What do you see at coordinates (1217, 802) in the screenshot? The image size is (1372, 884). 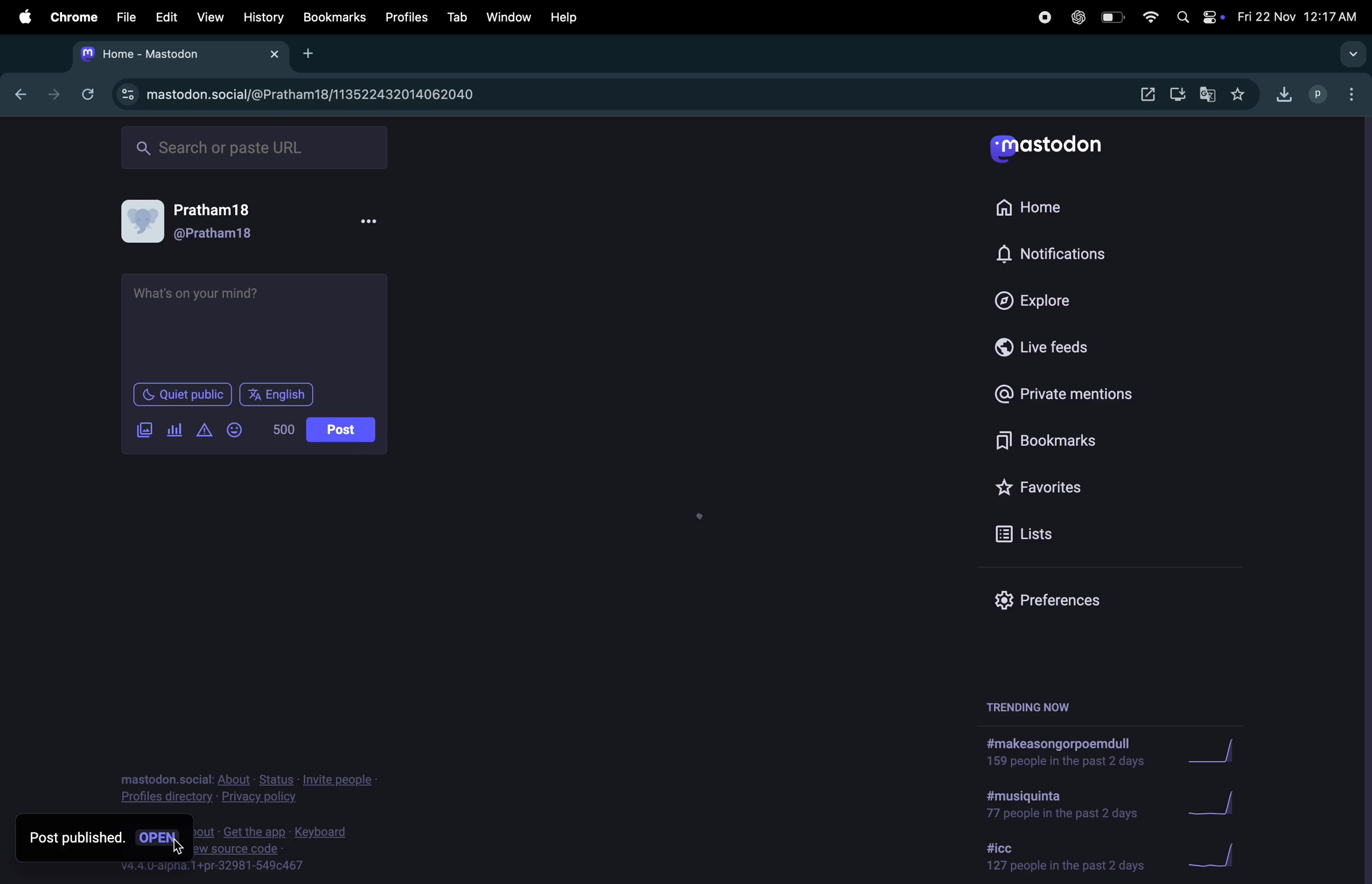 I see `graph` at bounding box center [1217, 802].